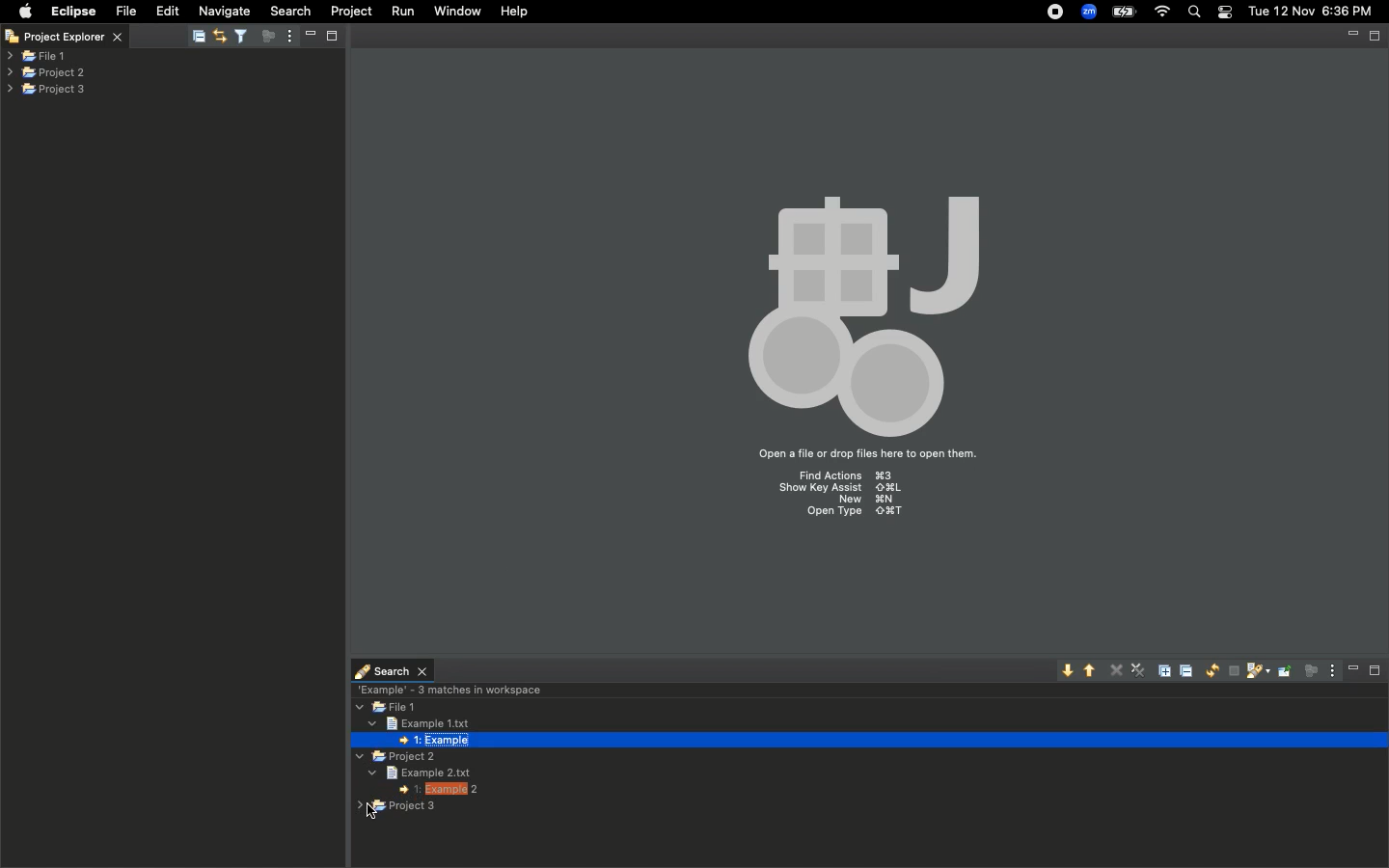 This screenshot has height=868, width=1389. I want to click on Project explorer, so click(77, 36).